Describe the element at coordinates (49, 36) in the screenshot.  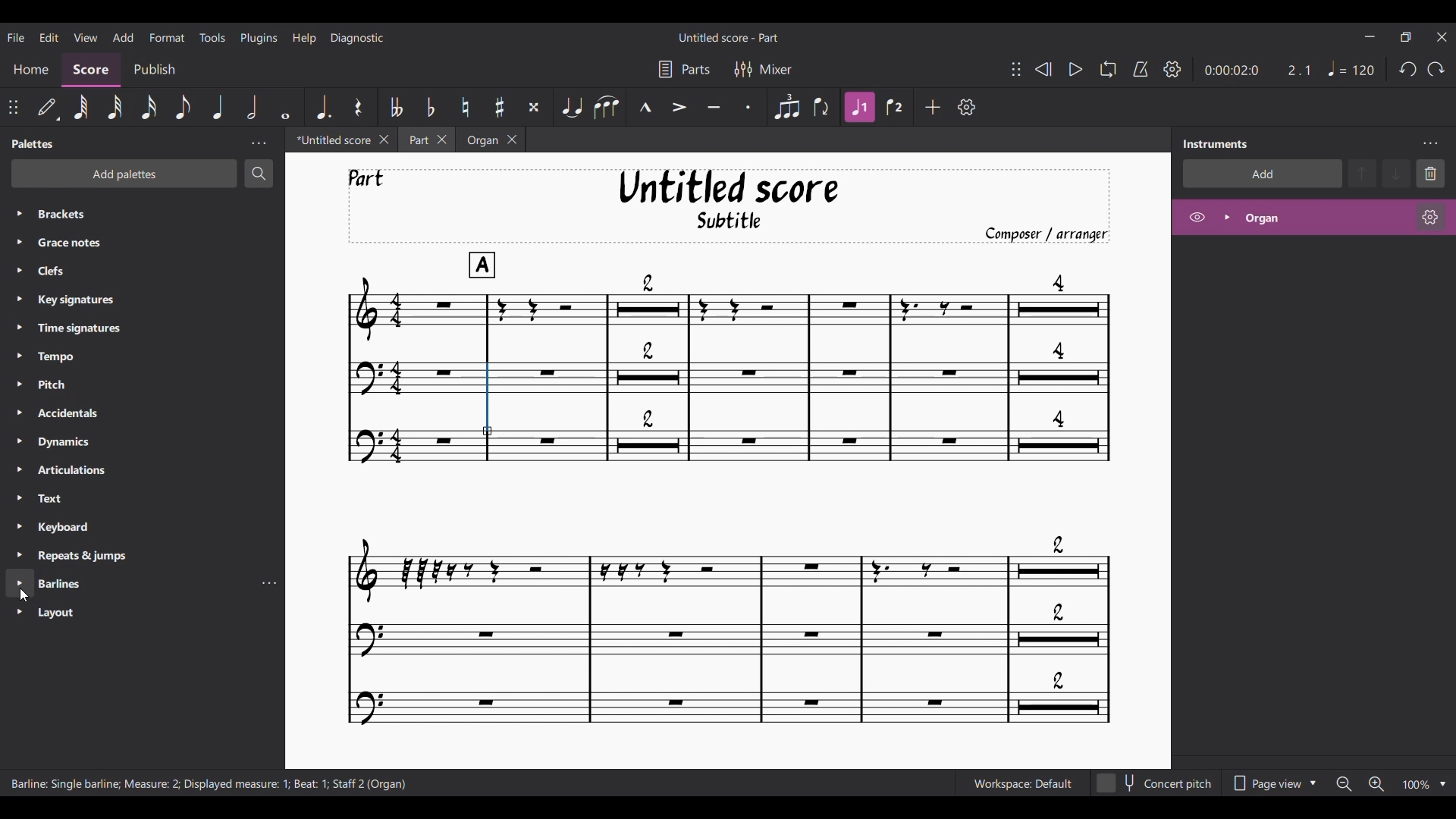
I see `Edit menu` at that location.